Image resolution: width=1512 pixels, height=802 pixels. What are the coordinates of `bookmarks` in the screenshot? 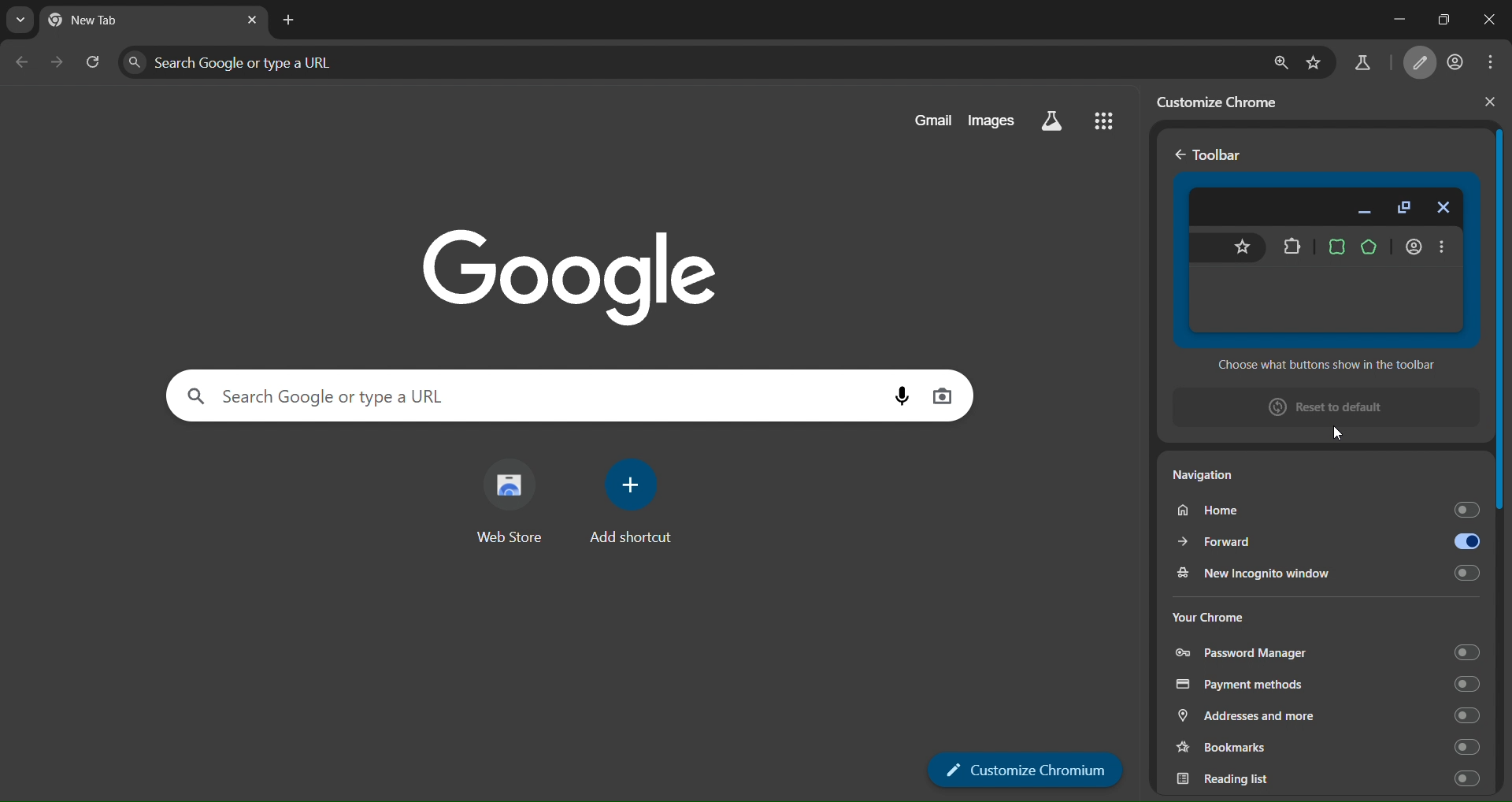 It's located at (1327, 748).